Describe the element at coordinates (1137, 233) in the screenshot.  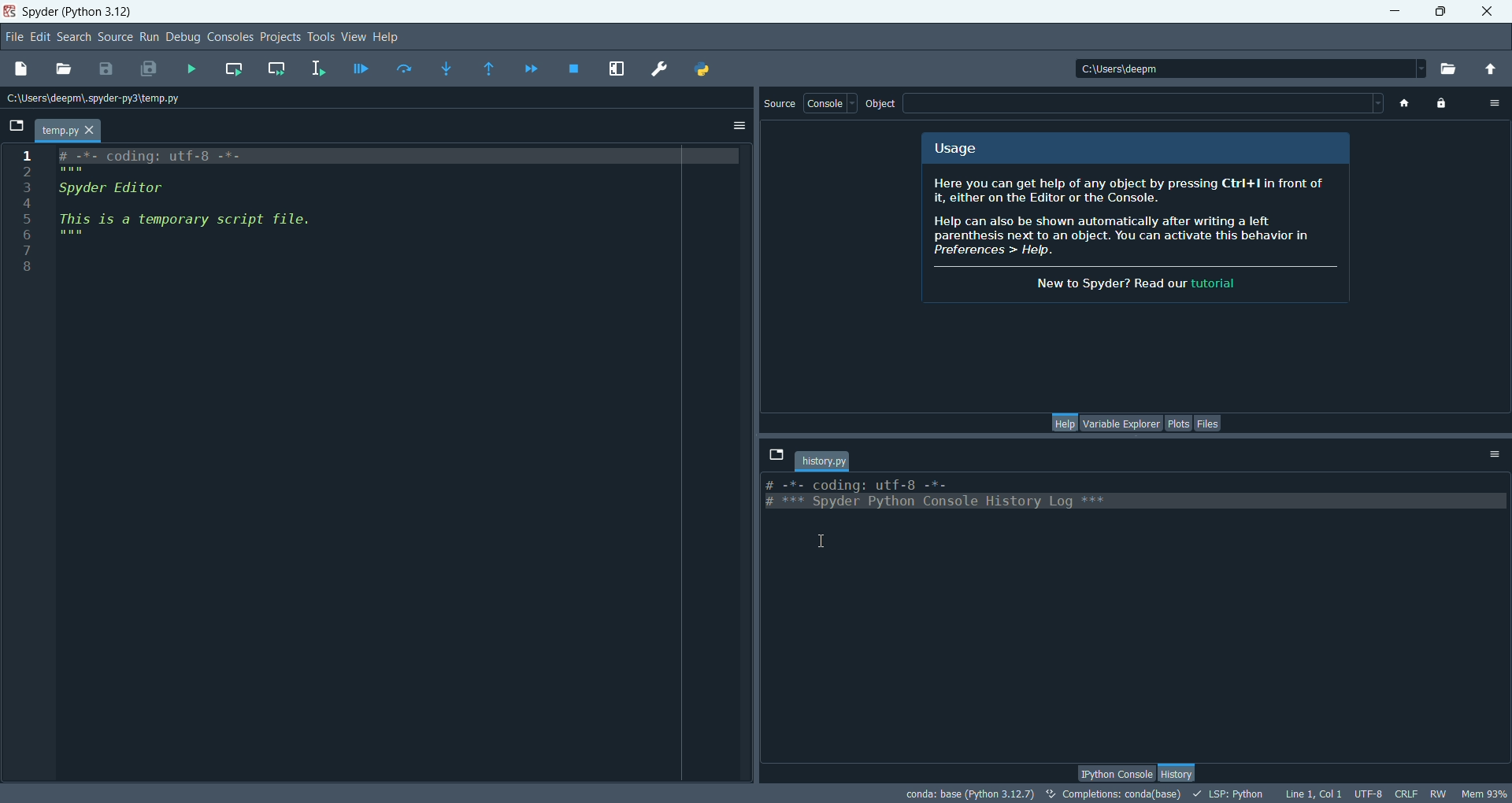
I see `spyder info` at that location.